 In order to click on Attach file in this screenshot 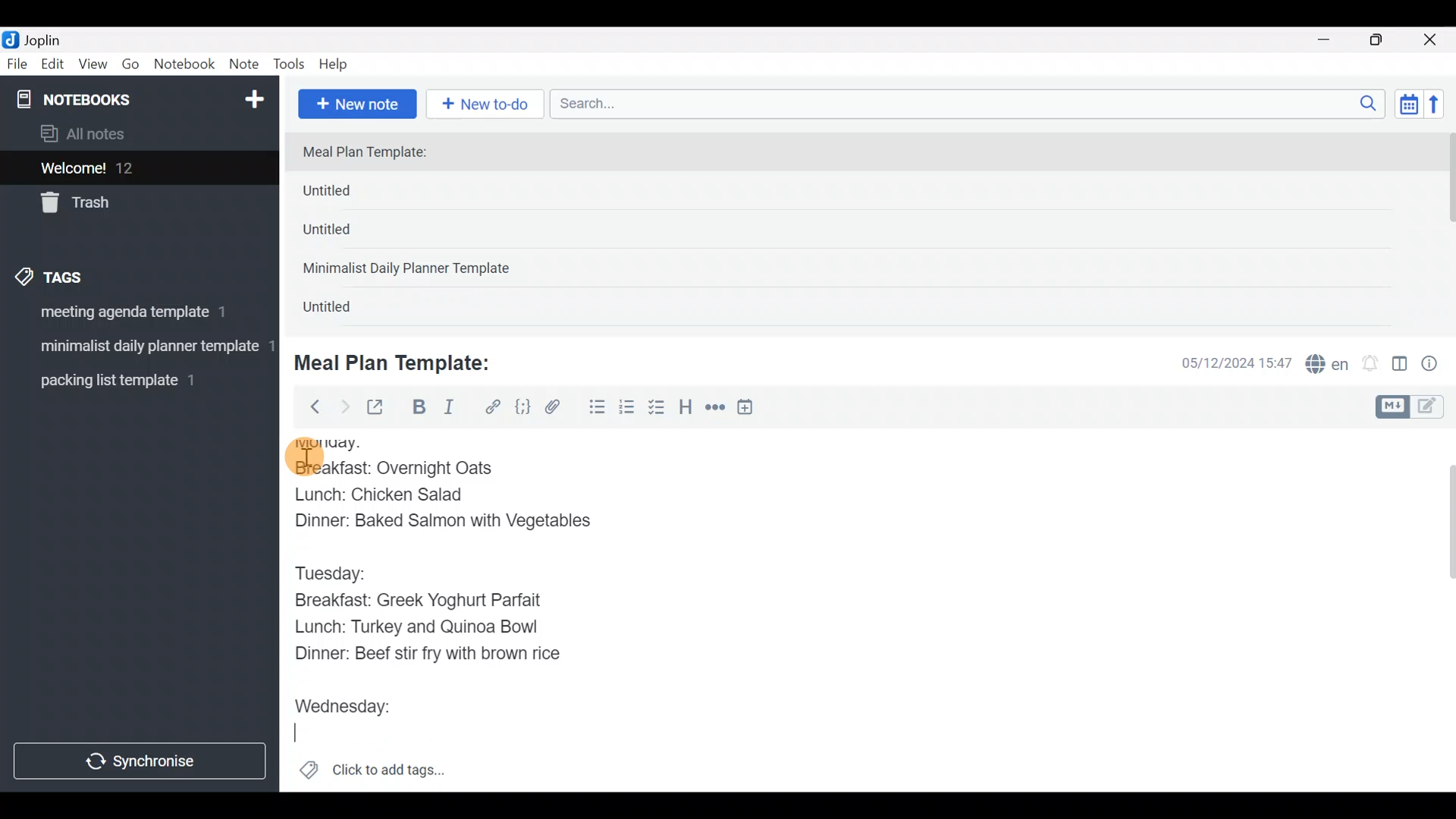, I will do `click(557, 409)`.